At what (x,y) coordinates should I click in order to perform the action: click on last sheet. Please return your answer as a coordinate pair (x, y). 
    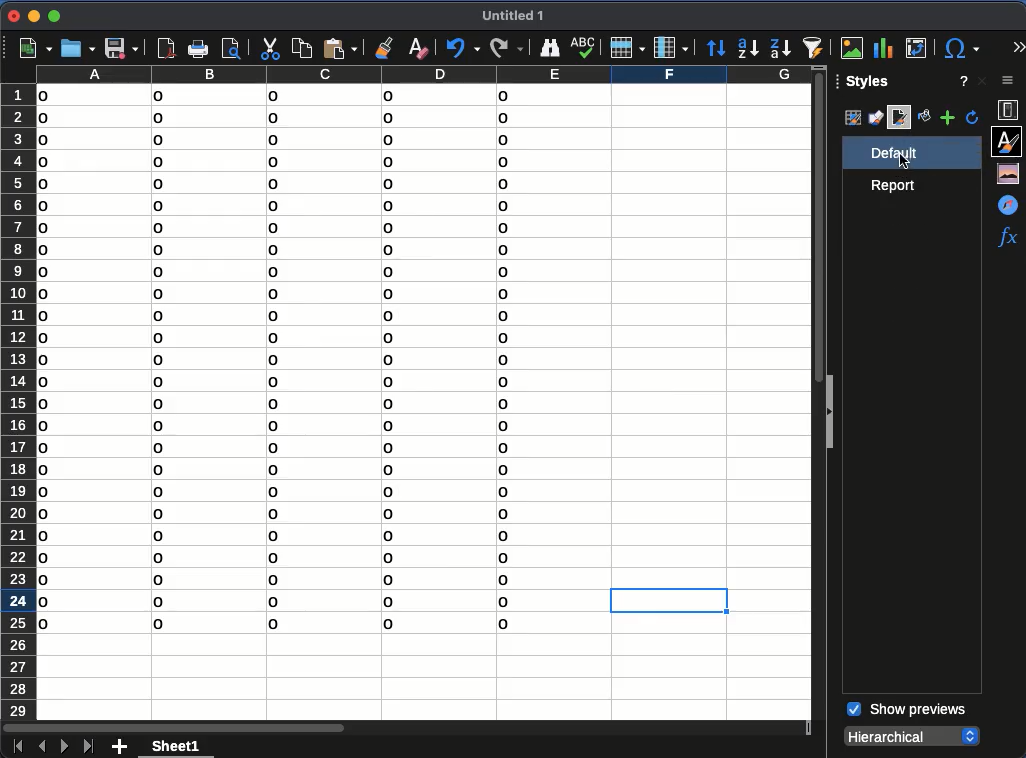
    Looking at the image, I should click on (88, 745).